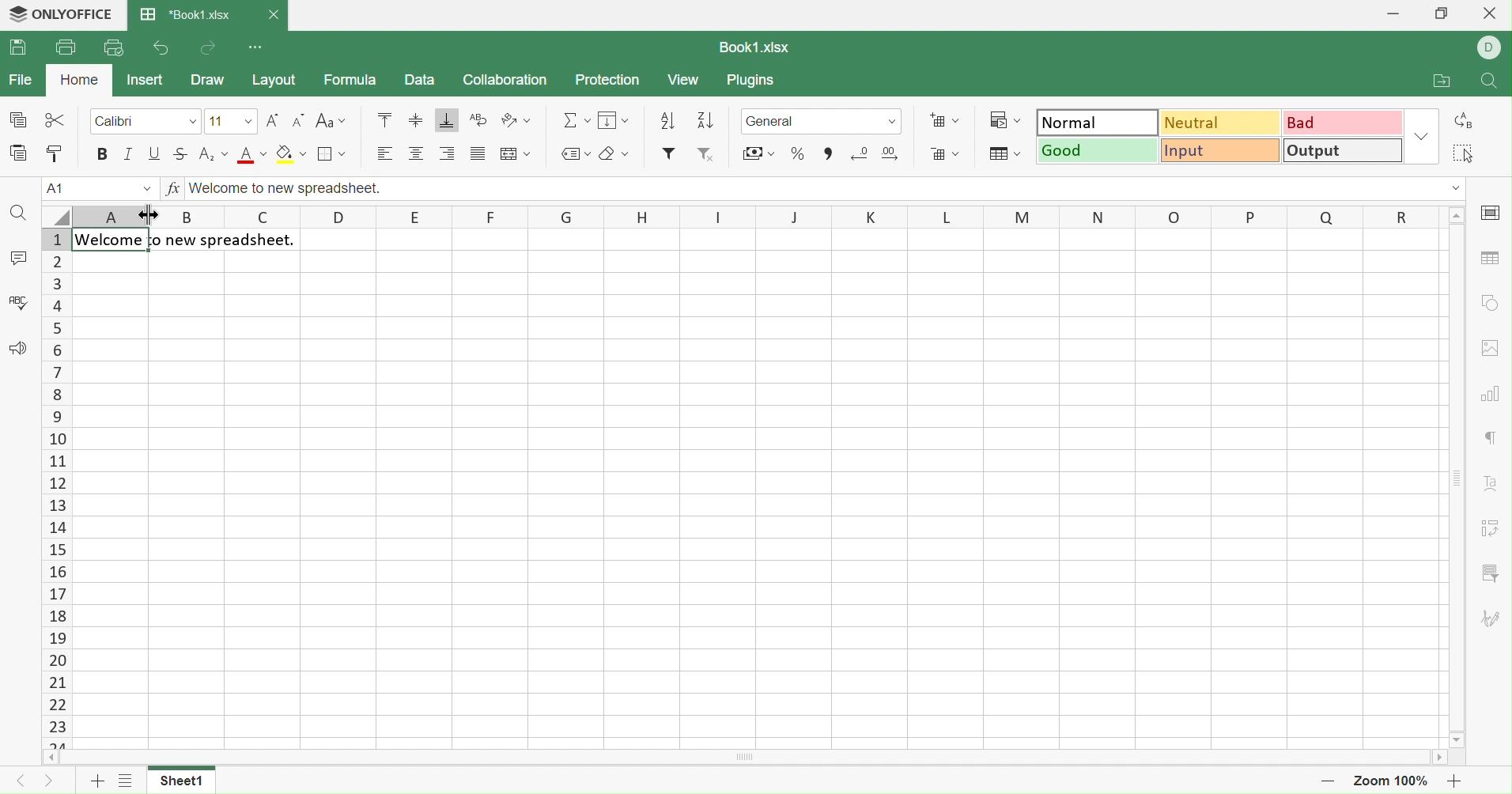  What do you see at coordinates (24, 78) in the screenshot?
I see `File` at bounding box center [24, 78].